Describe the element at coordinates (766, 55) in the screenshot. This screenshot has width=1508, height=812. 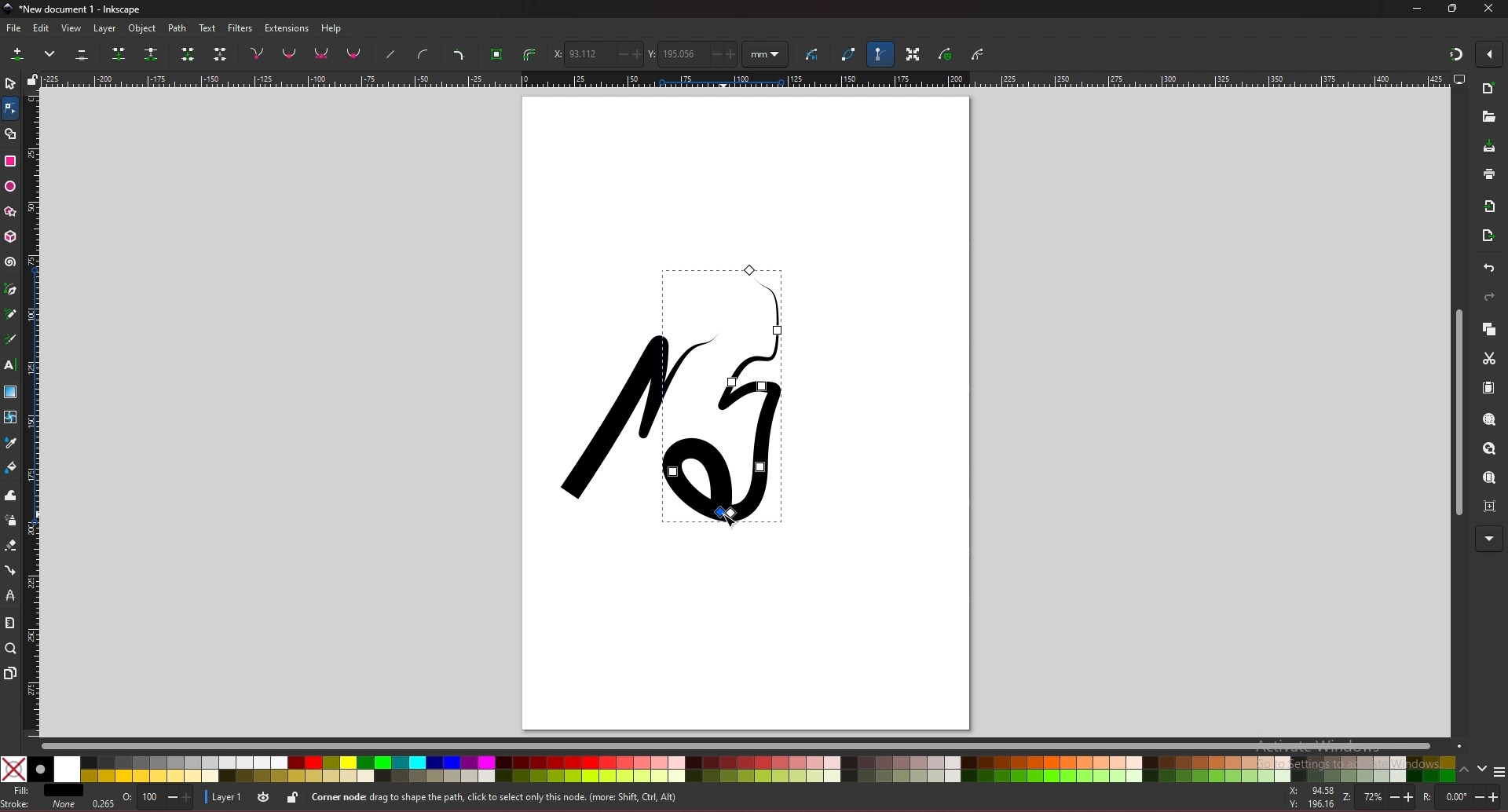
I see `units` at that location.